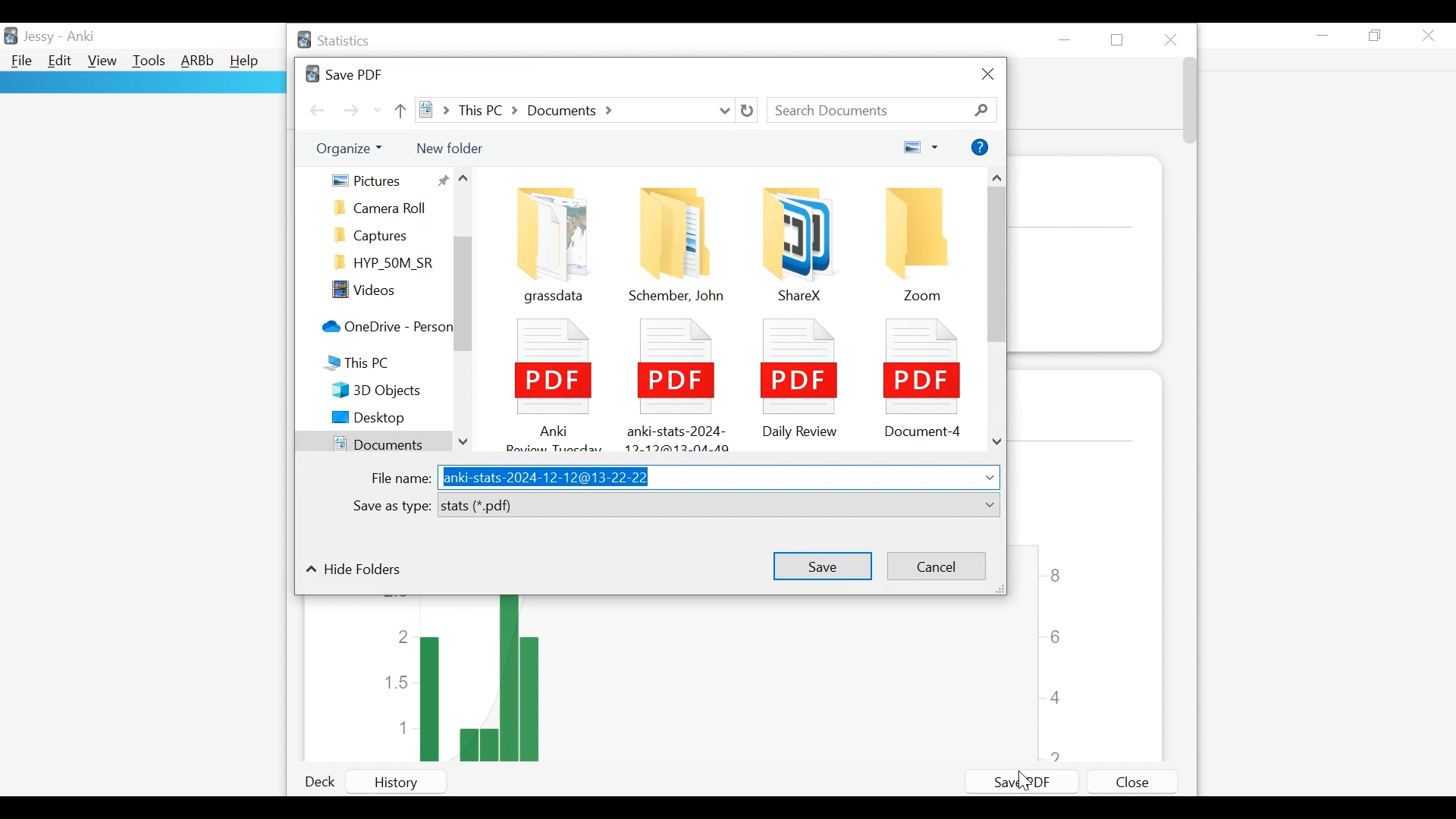 The image size is (1456, 819). What do you see at coordinates (374, 365) in the screenshot?
I see `This PC` at bounding box center [374, 365].